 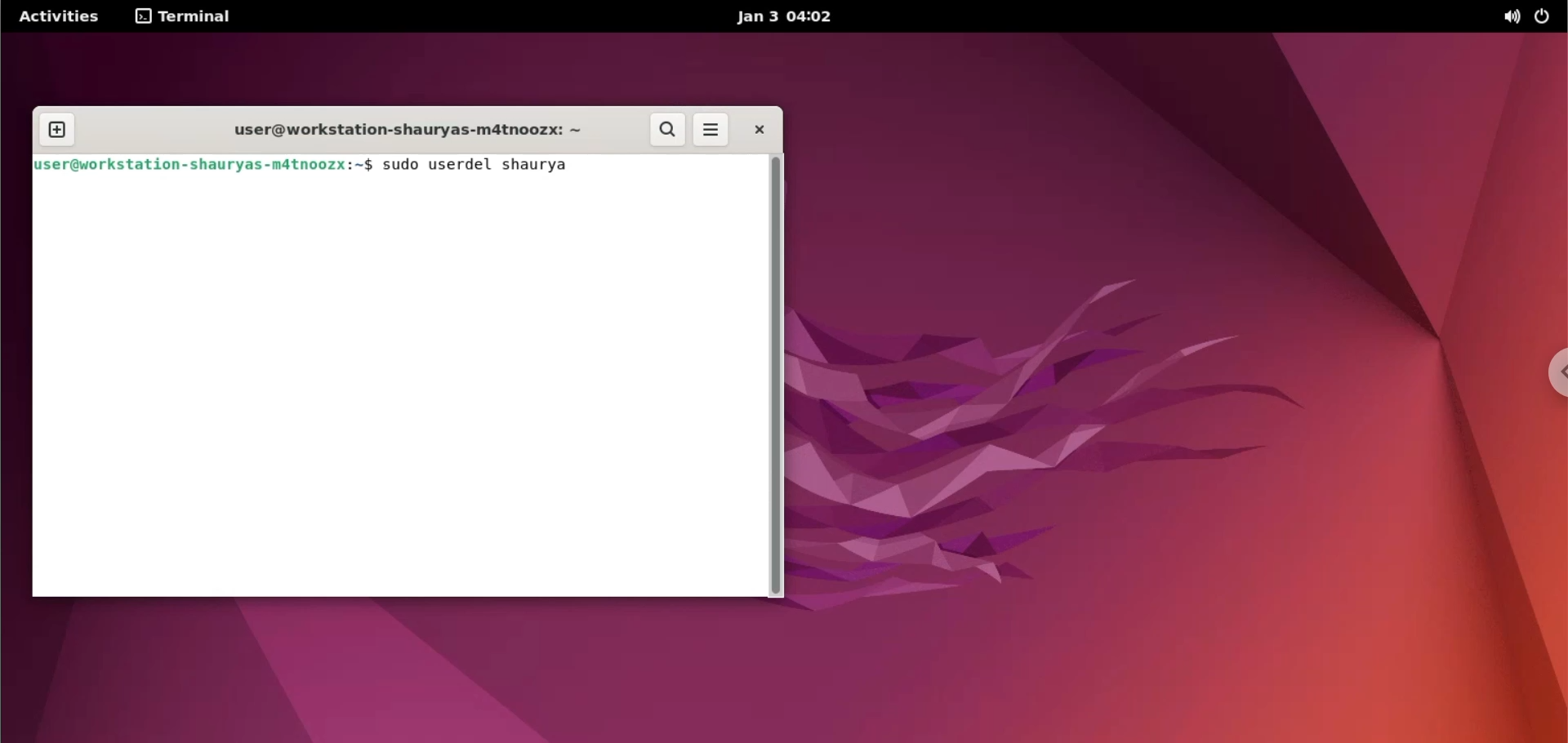 What do you see at coordinates (1512, 16) in the screenshot?
I see `sound options` at bounding box center [1512, 16].